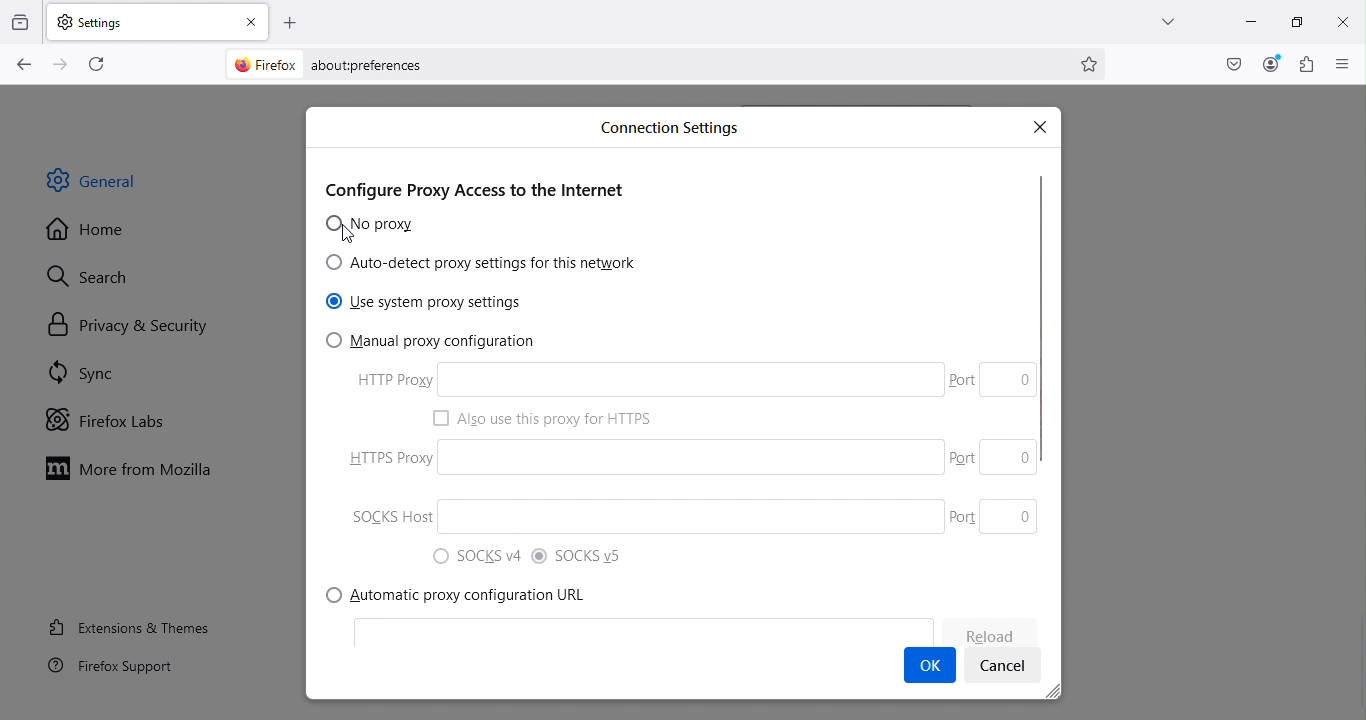  What do you see at coordinates (98, 230) in the screenshot?
I see `Home` at bounding box center [98, 230].